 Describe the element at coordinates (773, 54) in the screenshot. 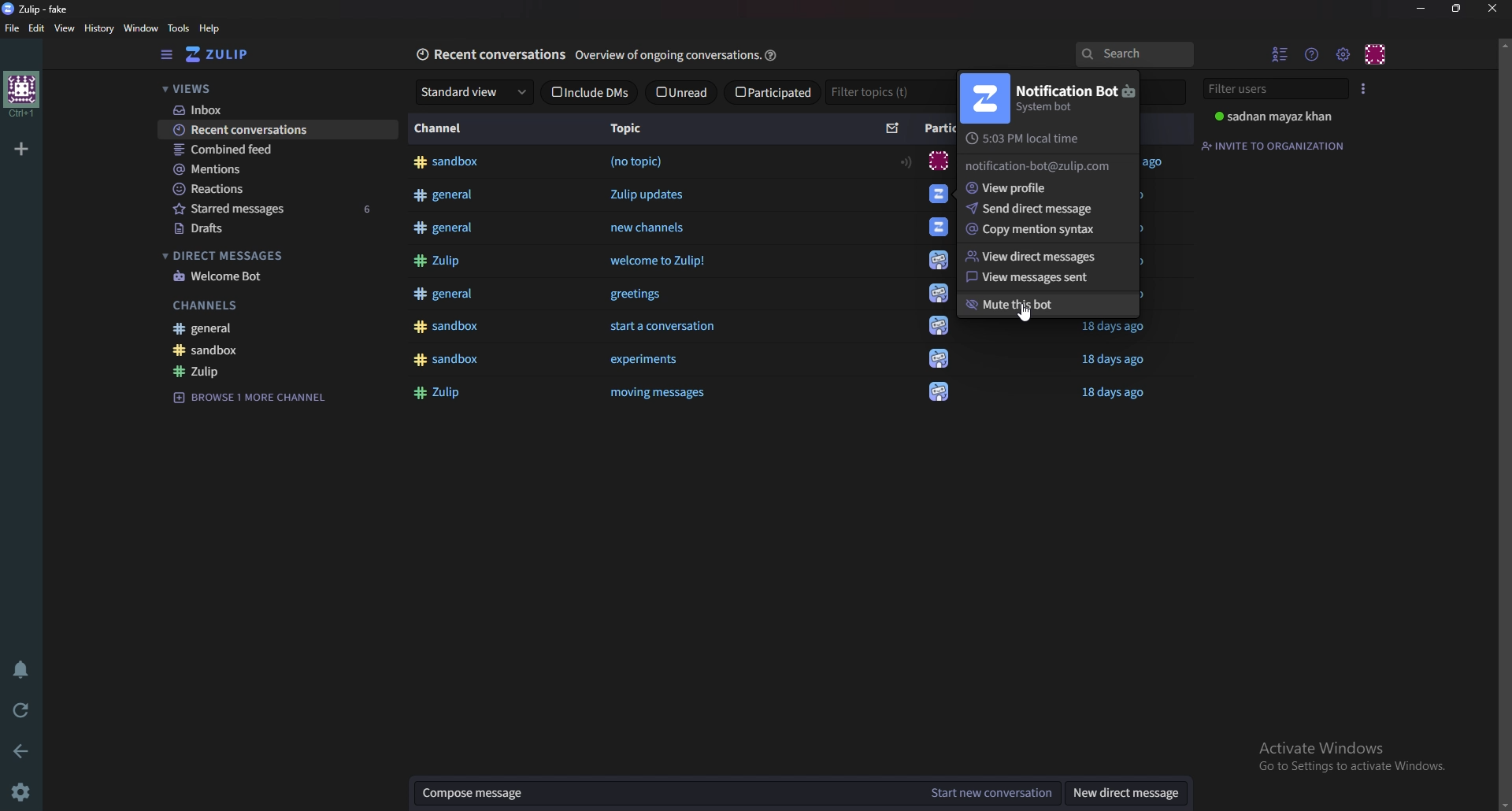

I see `help` at that location.